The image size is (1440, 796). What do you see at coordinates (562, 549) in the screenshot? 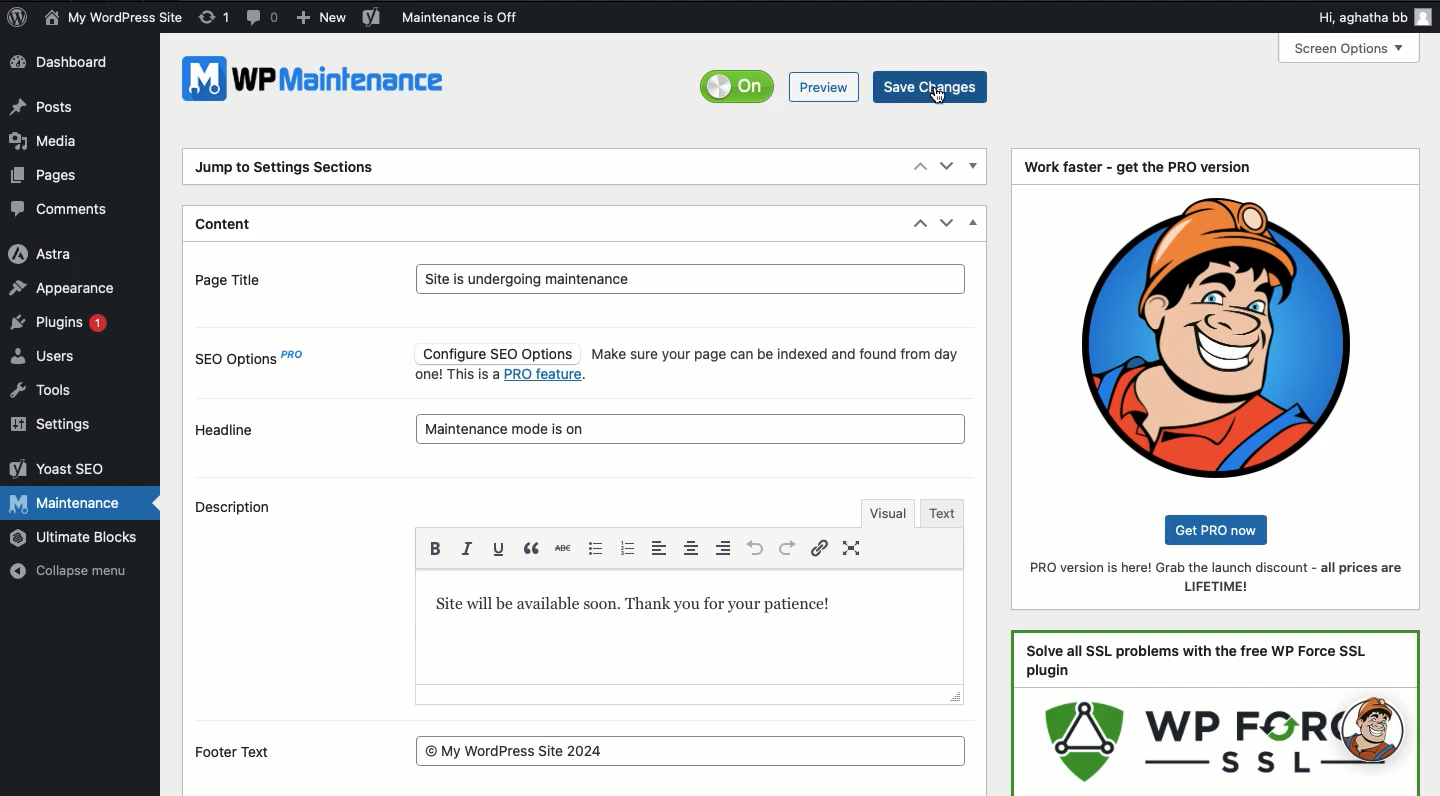
I see `Strikethrough` at bounding box center [562, 549].